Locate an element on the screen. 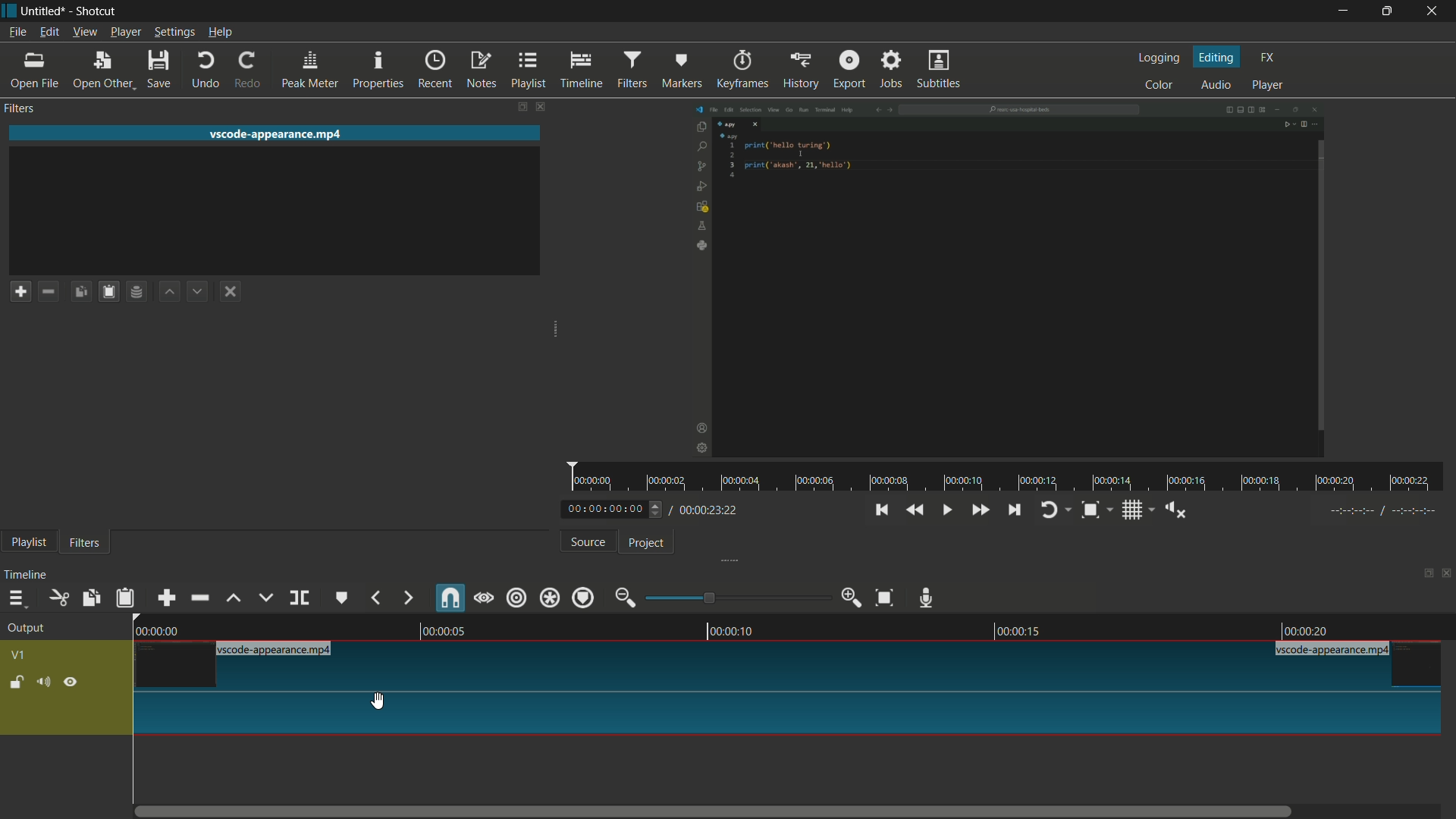 Image resolution: width=1456 pixels, height=819 pixels. move filter up is located at coordinates (168, 292).